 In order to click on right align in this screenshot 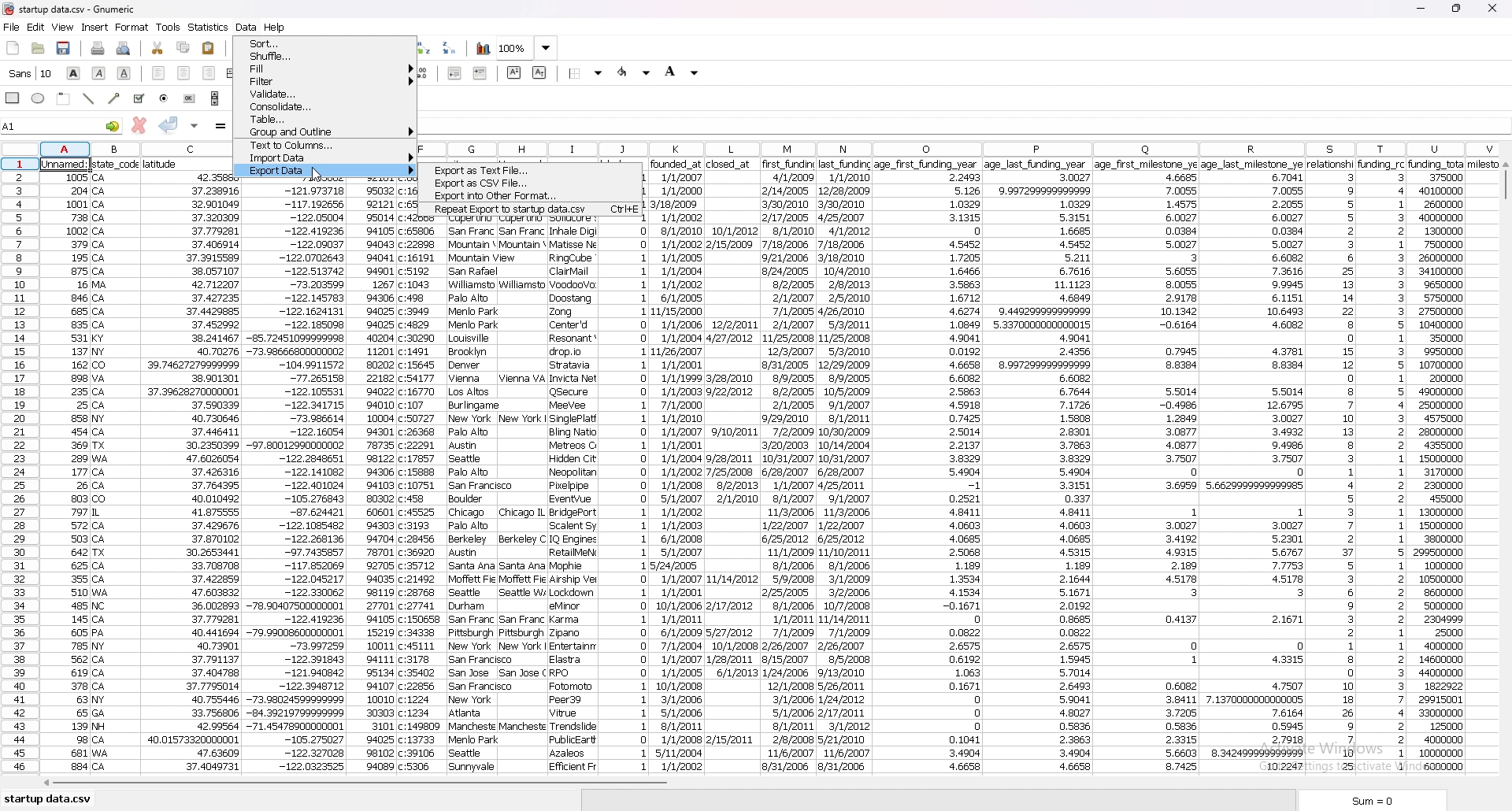, I will do `click(209, 73)`.